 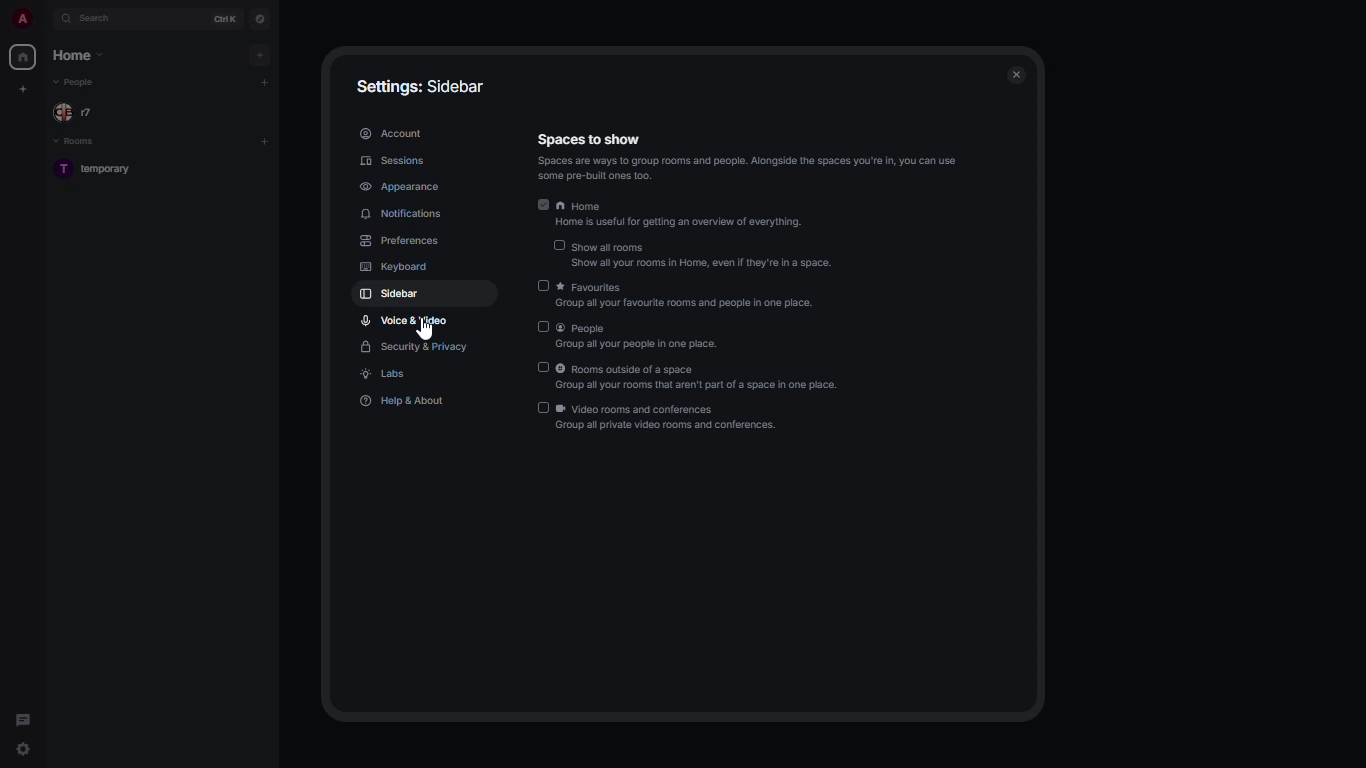 What do you see at coordinates (677, 306) in the screenshot?
I see `Group all your favourite rooms and people in one place.` at bounding box center [677, 306].